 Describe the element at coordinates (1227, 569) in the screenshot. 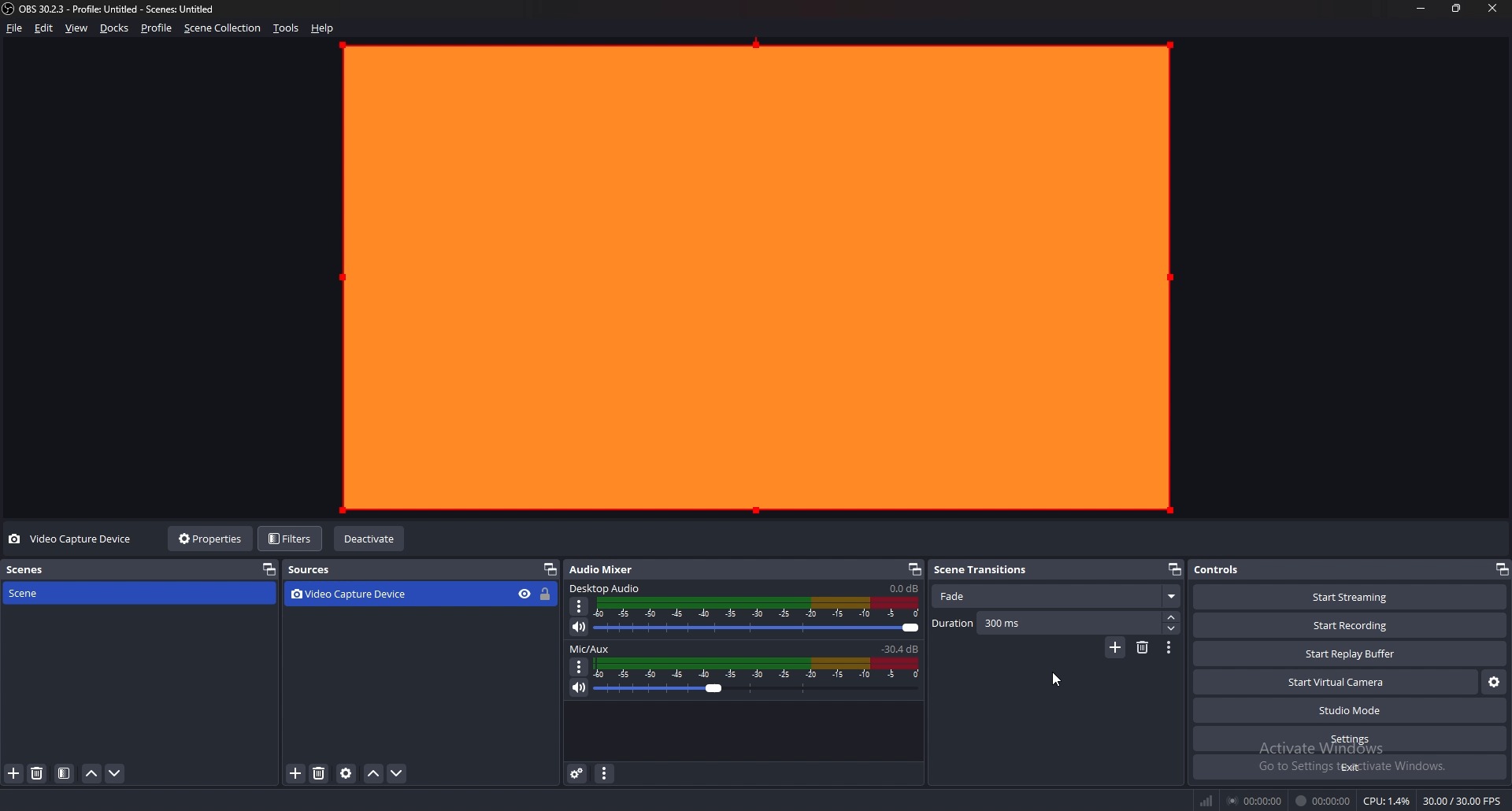

I see `controls` at that location.